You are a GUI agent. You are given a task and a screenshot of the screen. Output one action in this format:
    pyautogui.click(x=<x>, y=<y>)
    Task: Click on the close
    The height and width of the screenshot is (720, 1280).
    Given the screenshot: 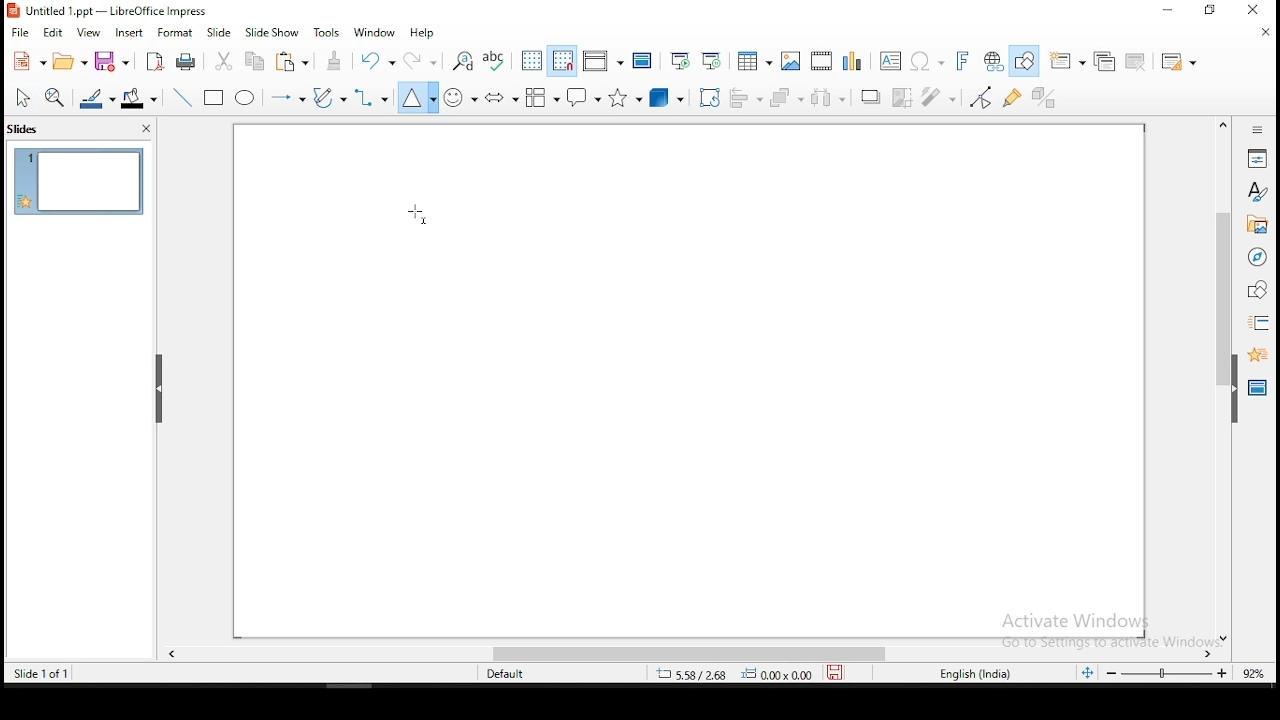 What is the action you would take?
    pyautogui.click(x=1261, y=8)
    